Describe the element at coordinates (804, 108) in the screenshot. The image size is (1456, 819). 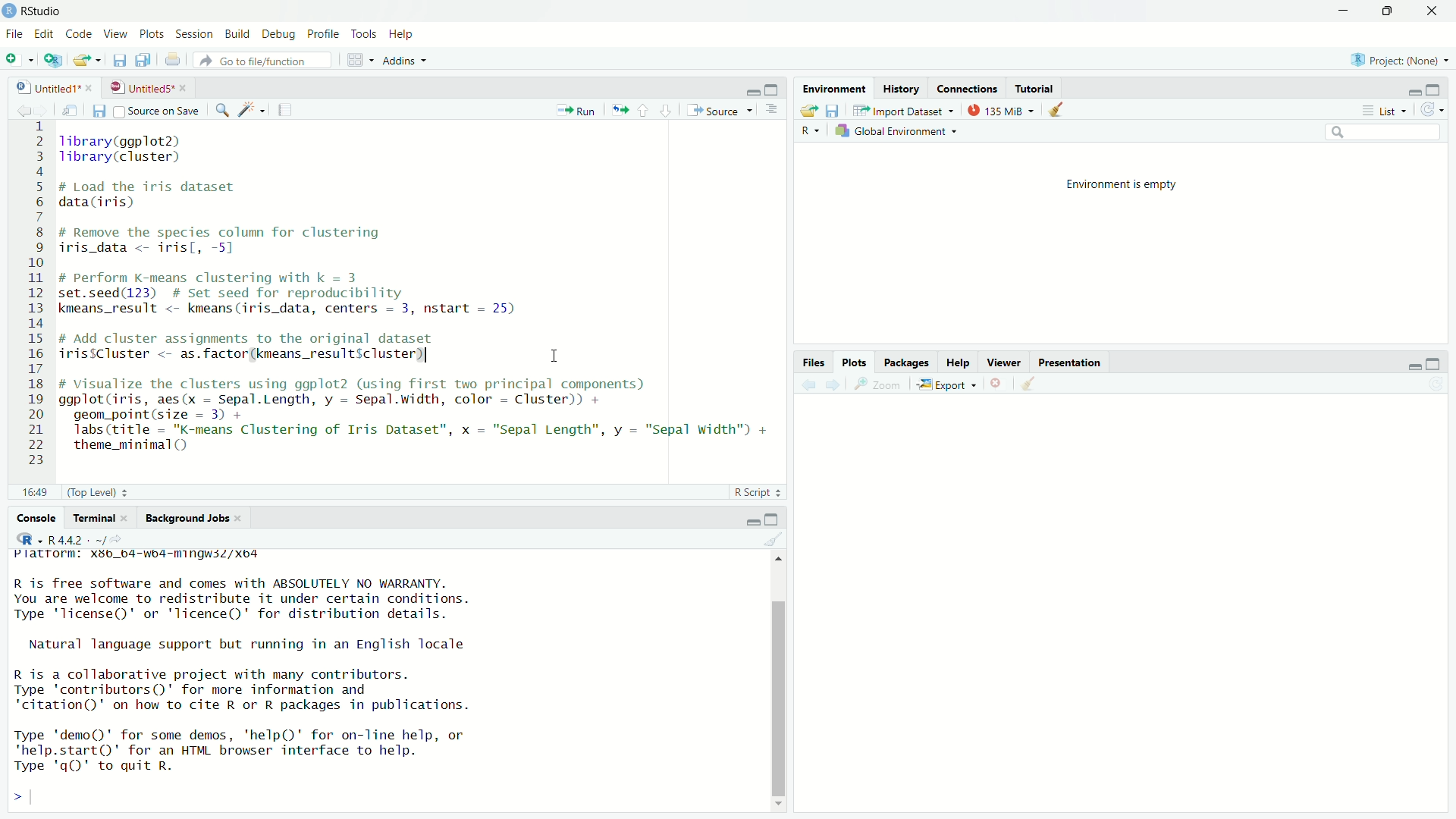
I see `load workspace` at that location.